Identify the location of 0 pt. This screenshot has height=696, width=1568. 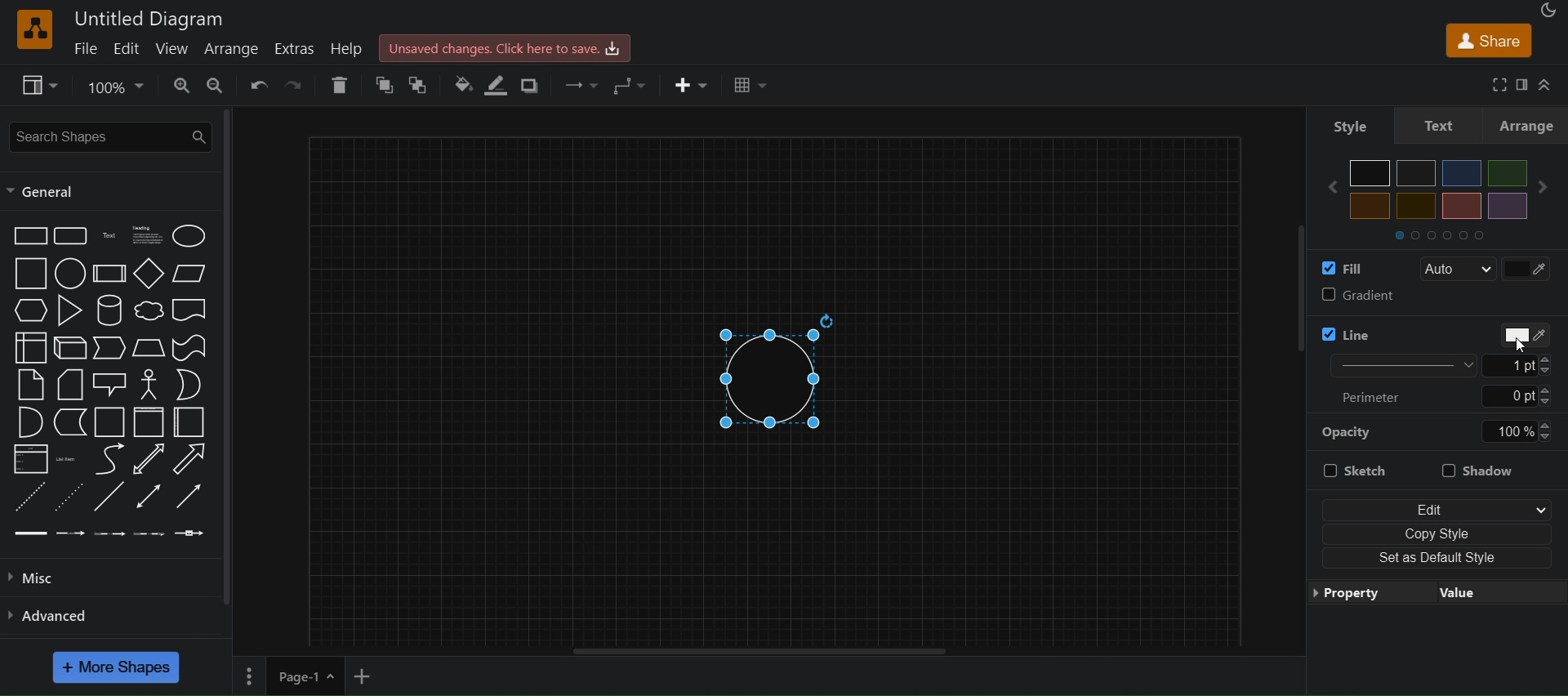
(1518, 397).